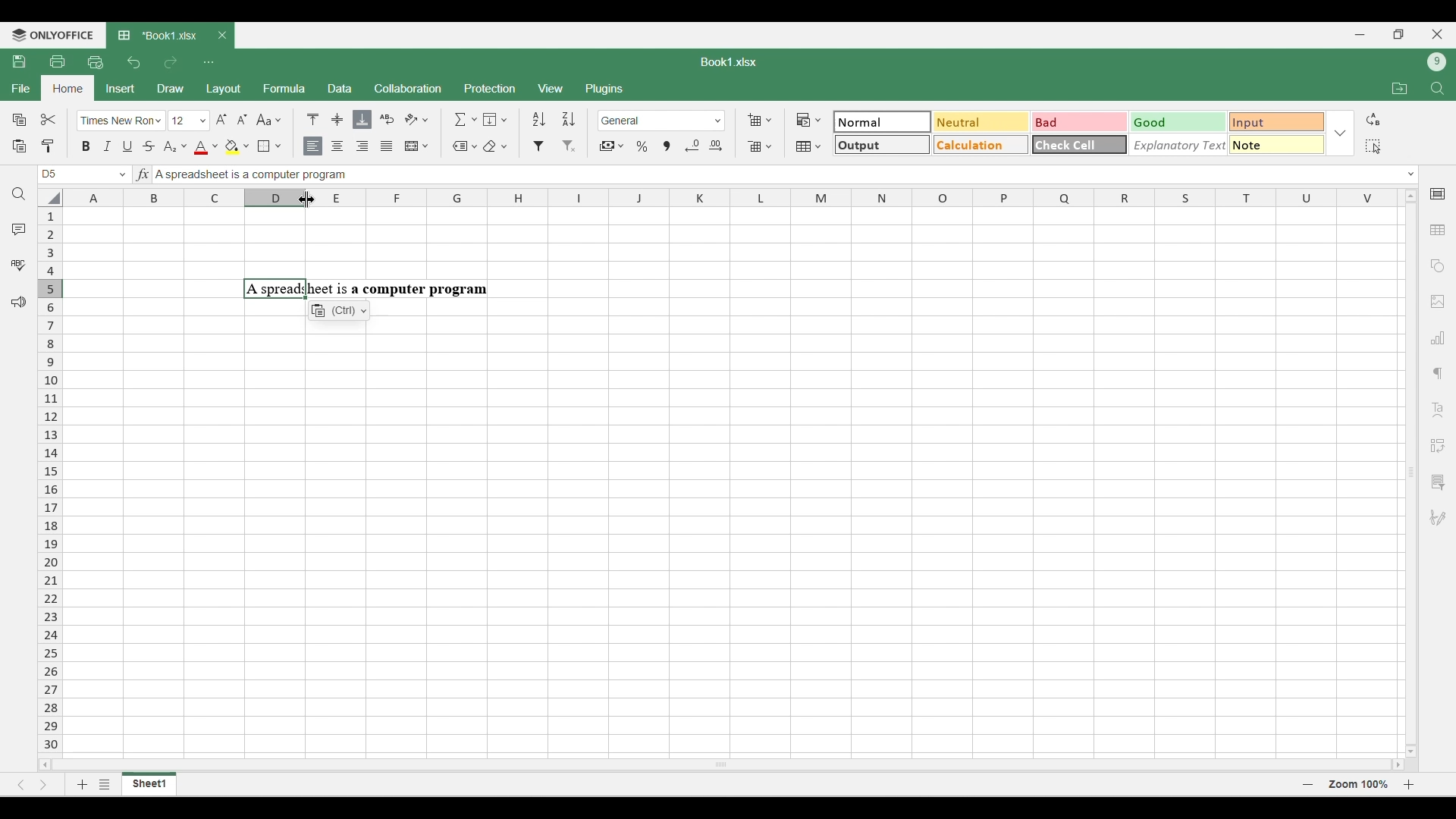 The image size is (1456, 819). Describe the element at coordinates (1399, 34) in the screenshot. I see `Show in smaller tab` at that location.